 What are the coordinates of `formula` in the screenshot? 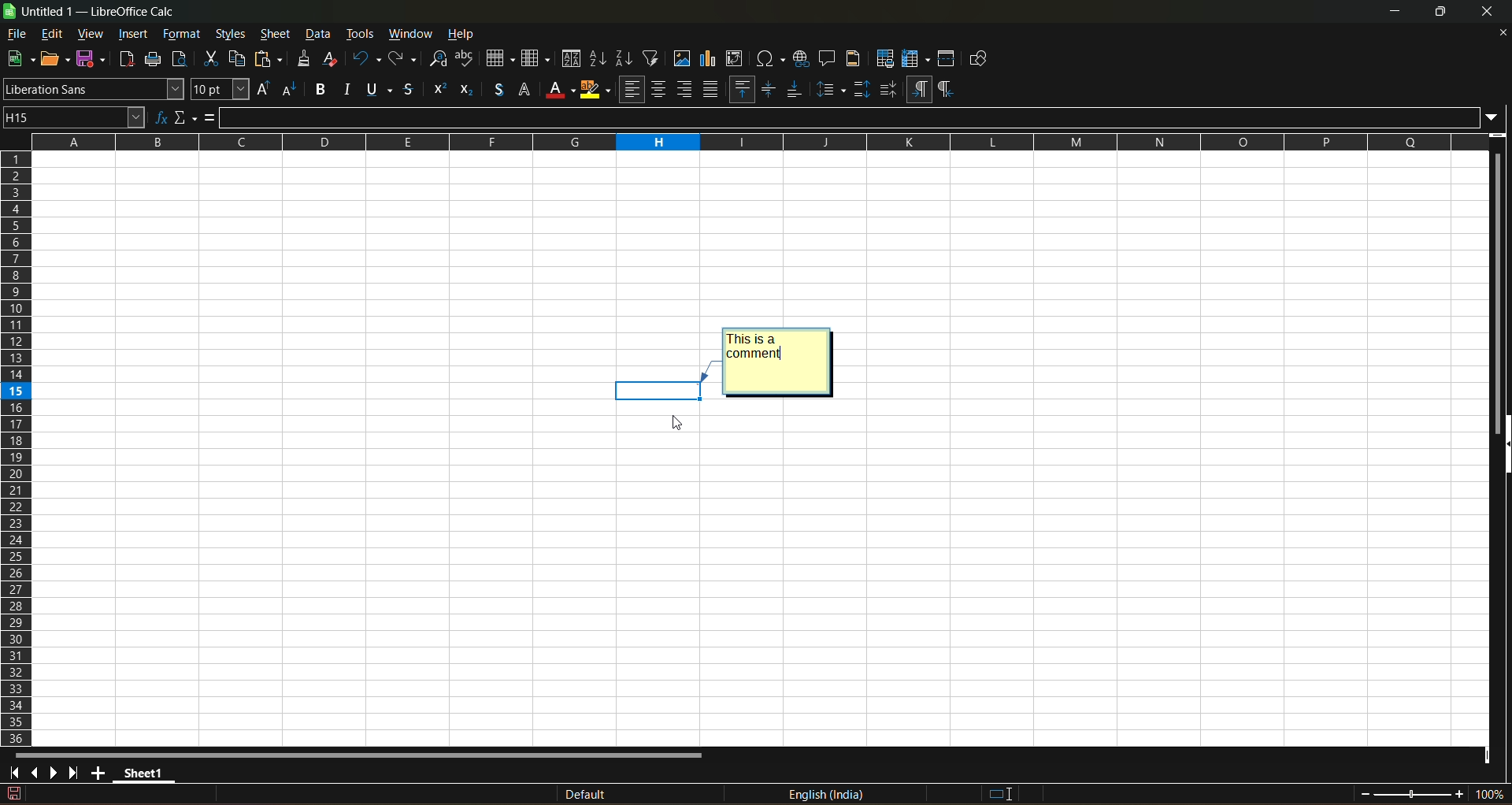 It's located at (209, 117).